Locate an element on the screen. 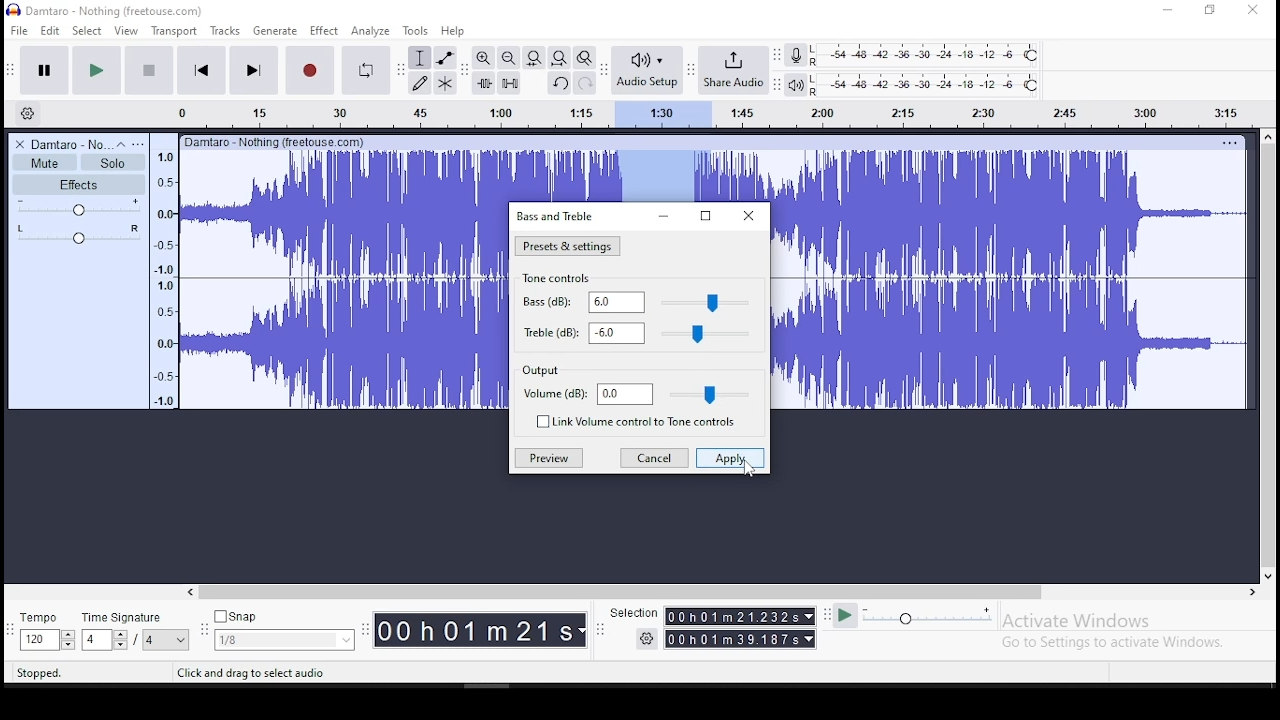 This screenshot has width=1280, height=720. left is located at coordinates (189, 592).